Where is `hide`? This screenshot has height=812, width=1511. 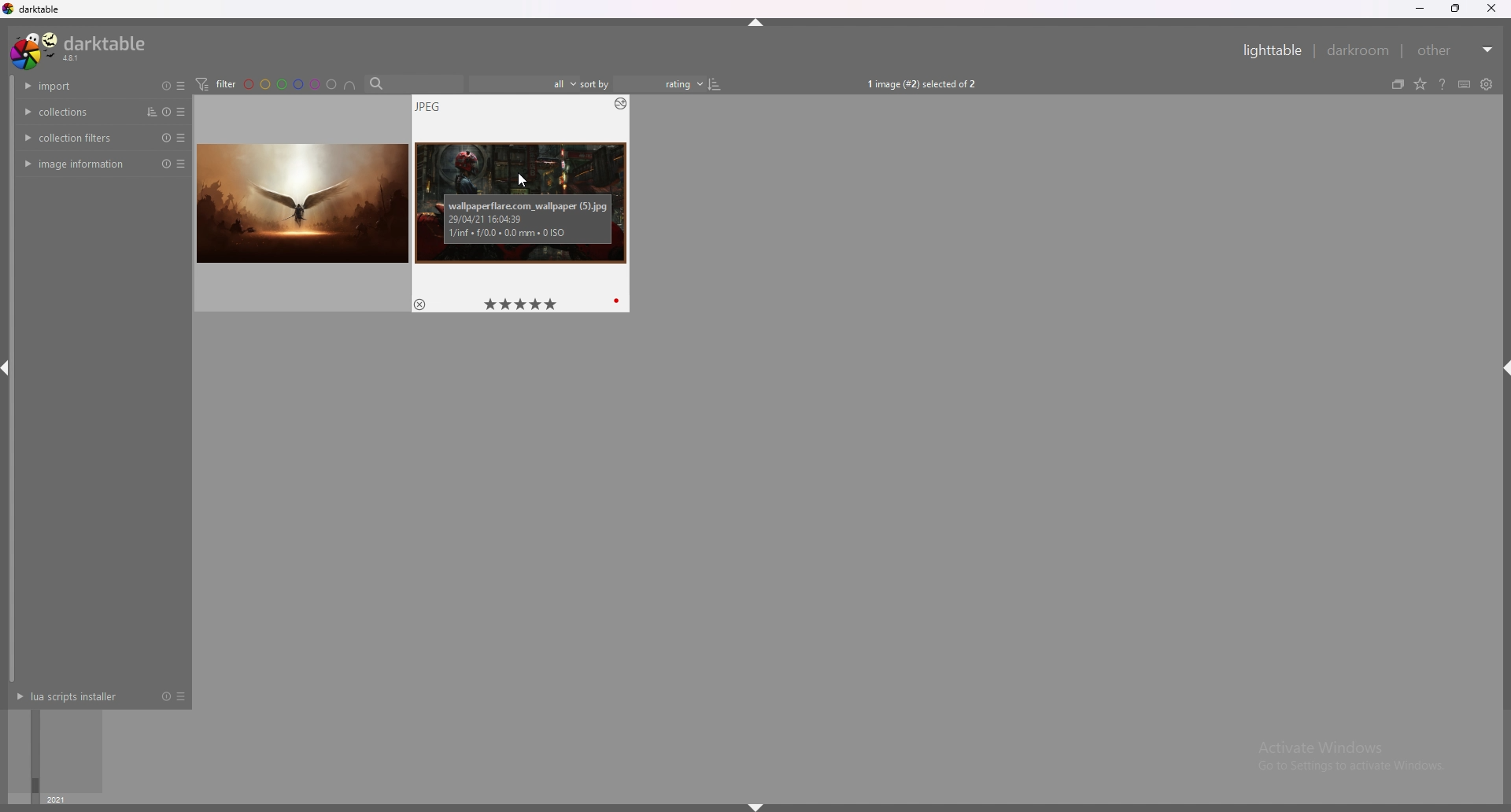
hide is located at coordinates (756, 806).